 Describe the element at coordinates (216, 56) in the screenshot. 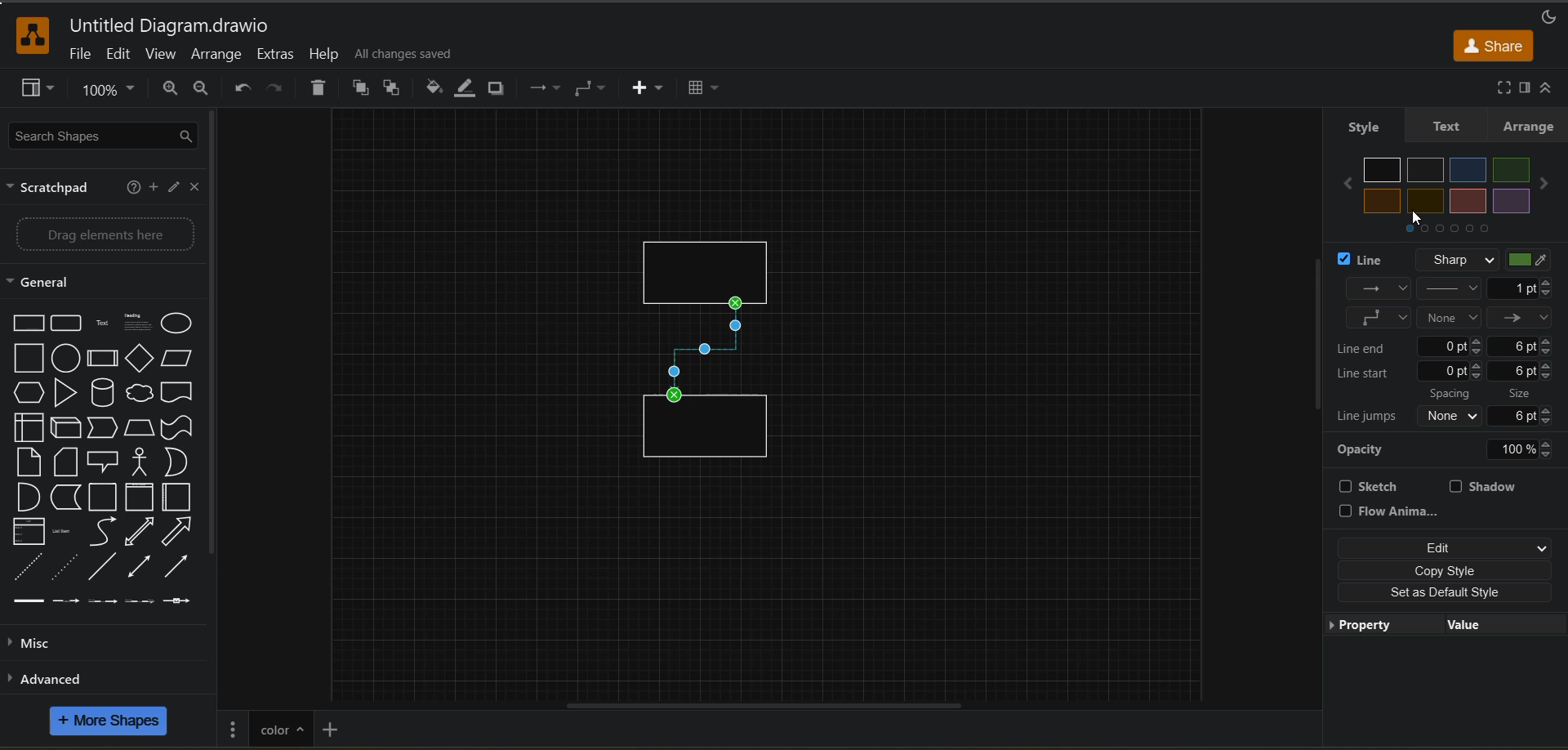

I see `arrange` at that location.